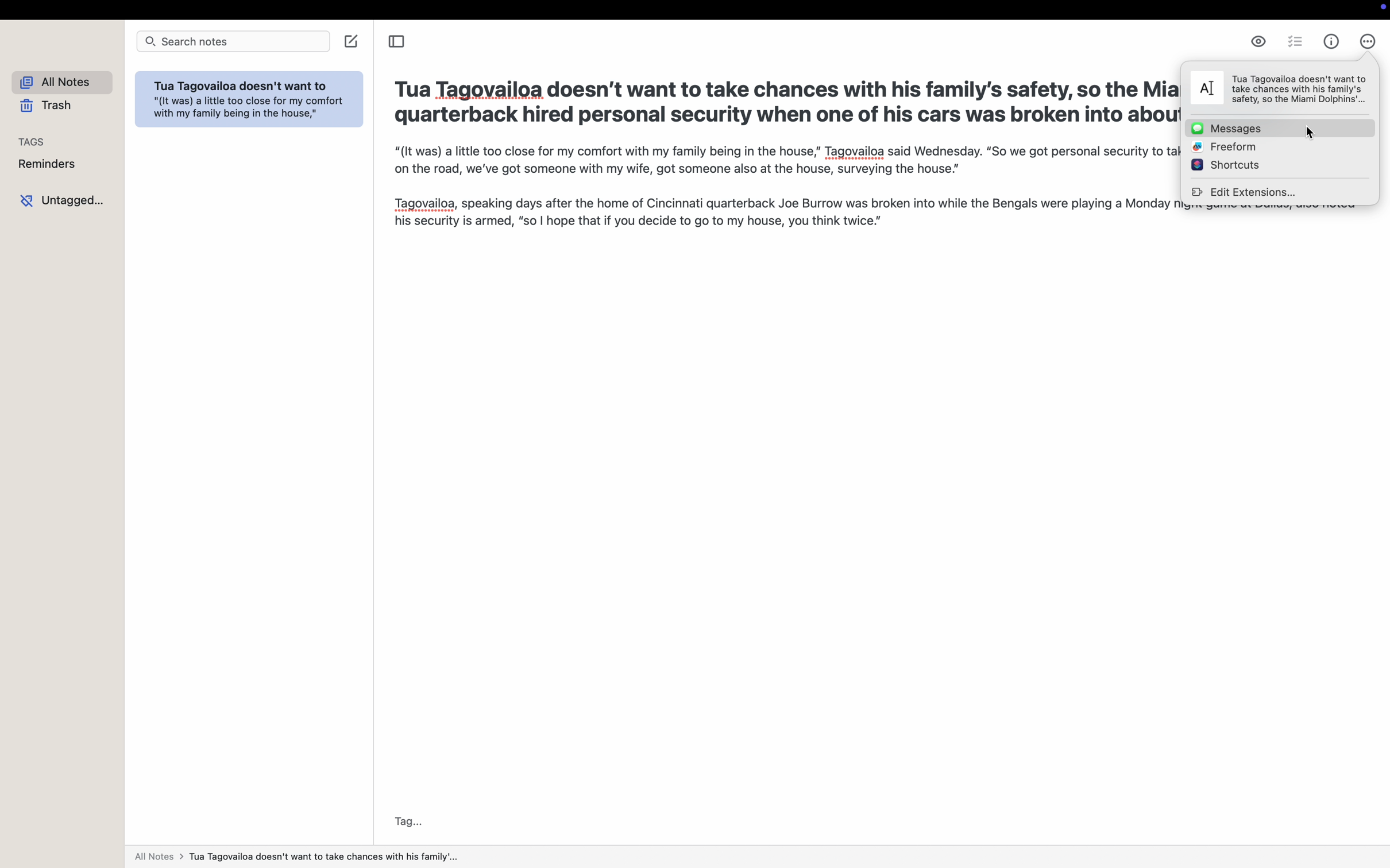  What do you see at coordinates (1381, 10) in the screenshot?
I see `screen controls` at bounding box center [1381, 10].